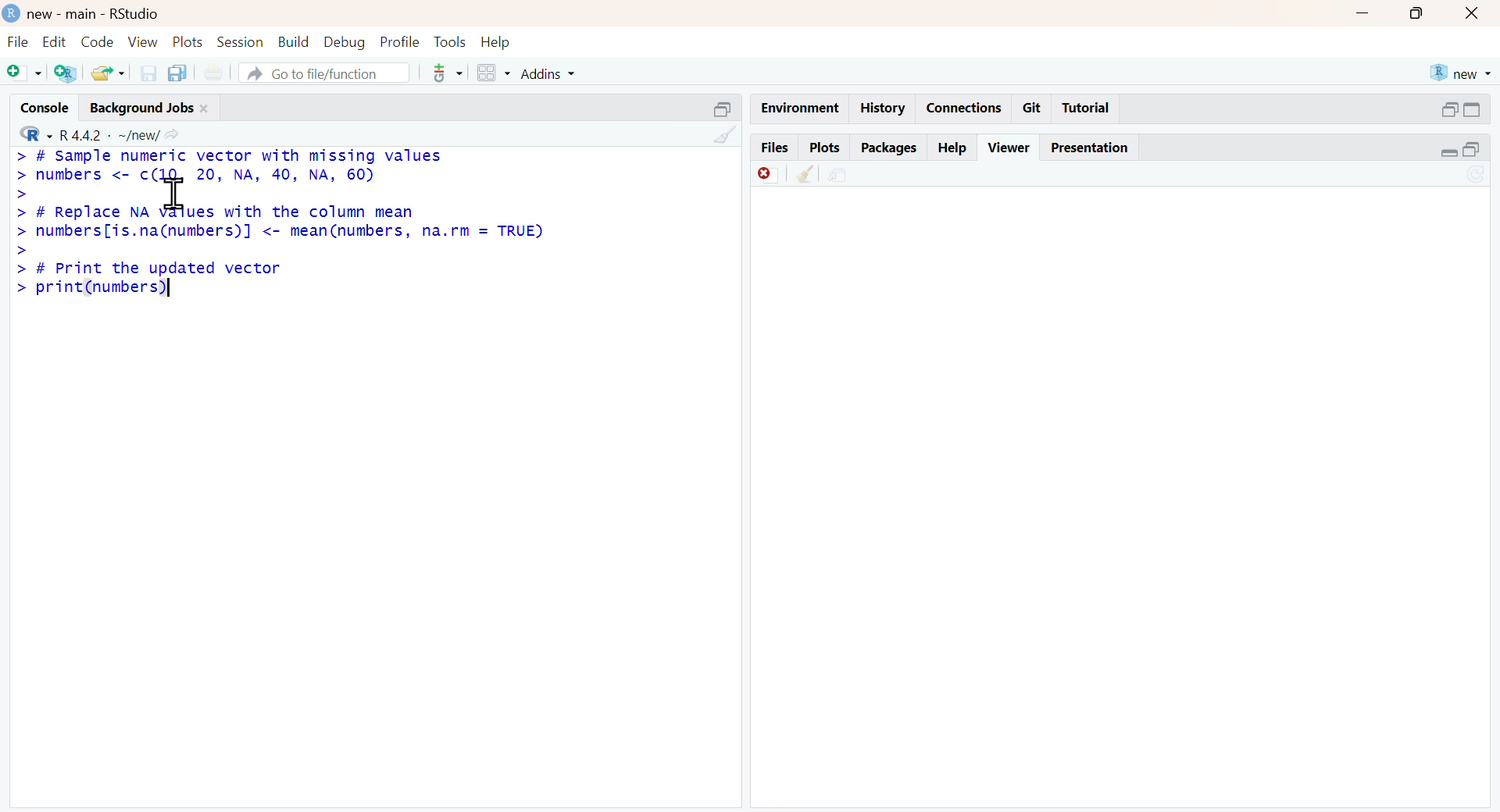 This screenshot has width=1500, height=812. I want to click on minimise, so click(1364, 12).